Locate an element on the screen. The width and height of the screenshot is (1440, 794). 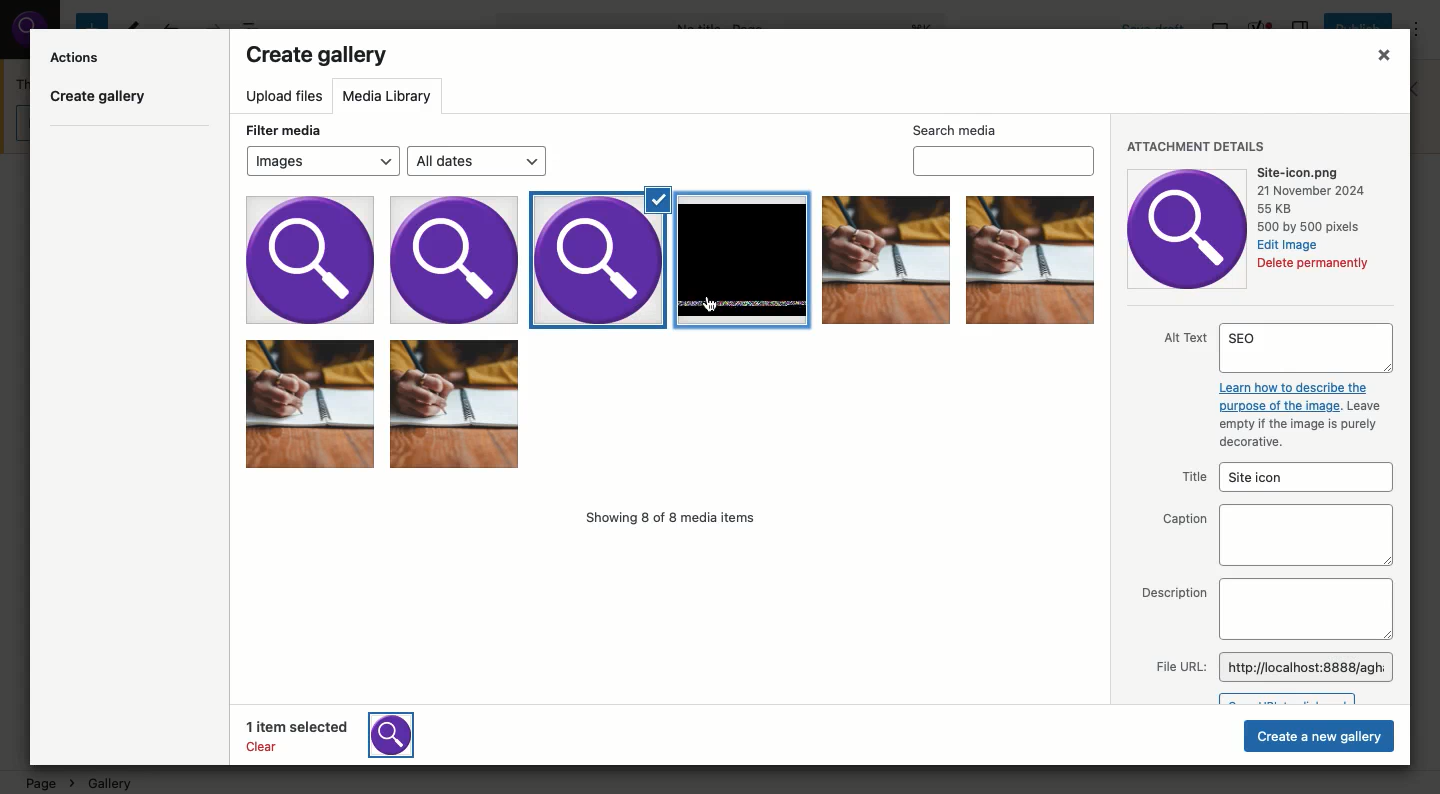
Images is located at coordinates (672, 409).